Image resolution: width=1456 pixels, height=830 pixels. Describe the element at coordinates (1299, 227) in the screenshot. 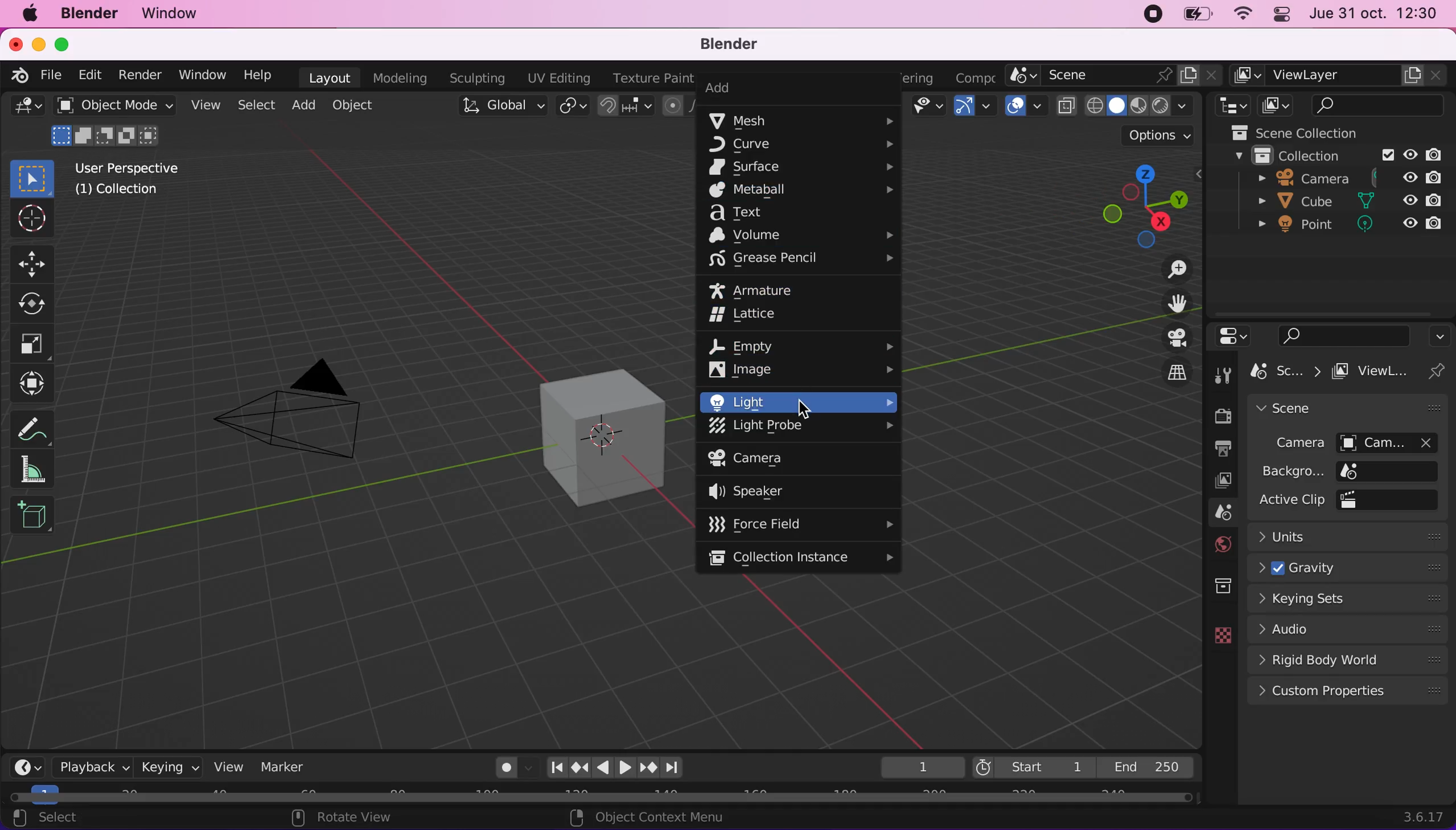

I see `point` at that location.